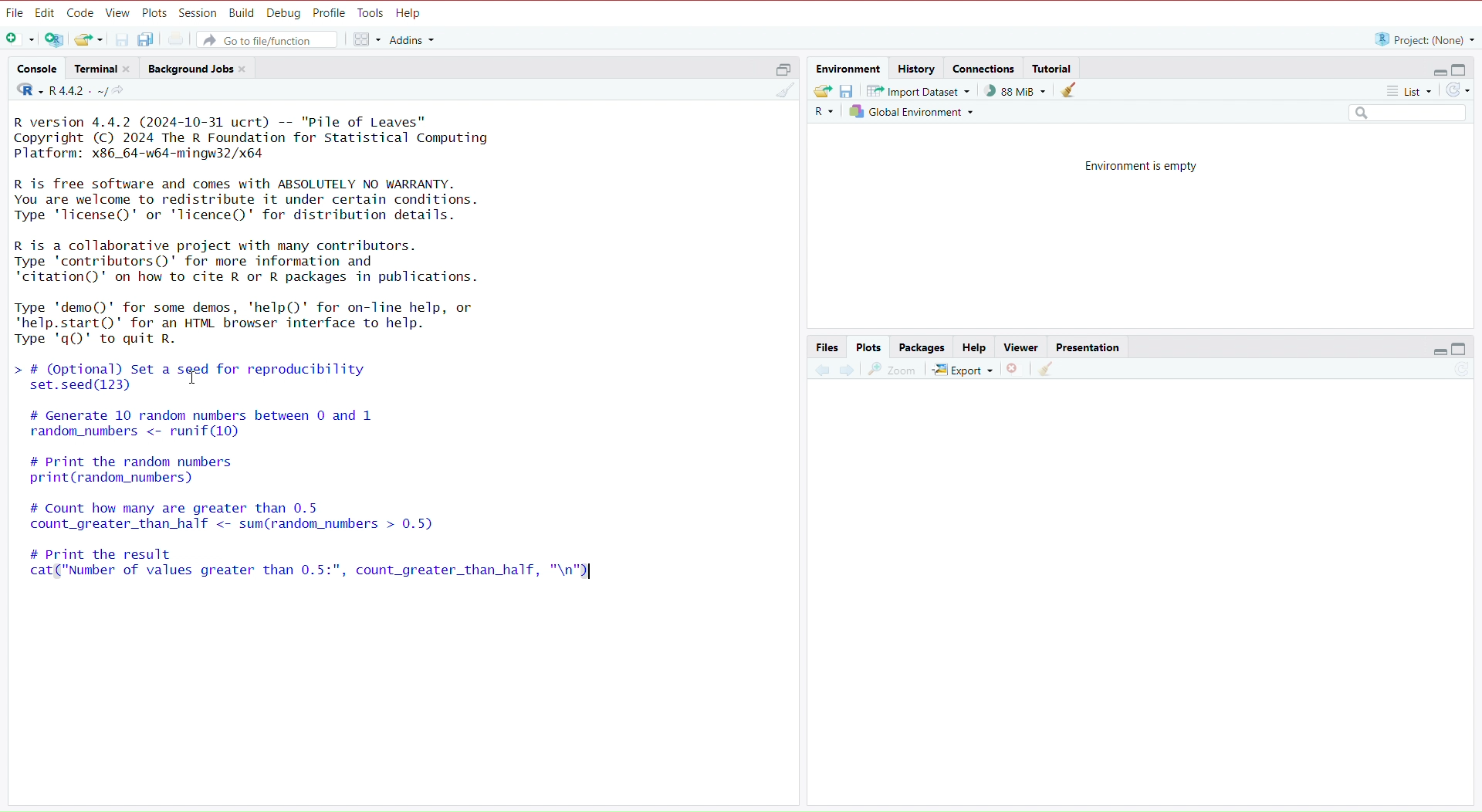 This screenshot has width=1482, height=812. Describe the element at coordinates (365, 41) in the screenshot. I see `Workspace panes` at that location.